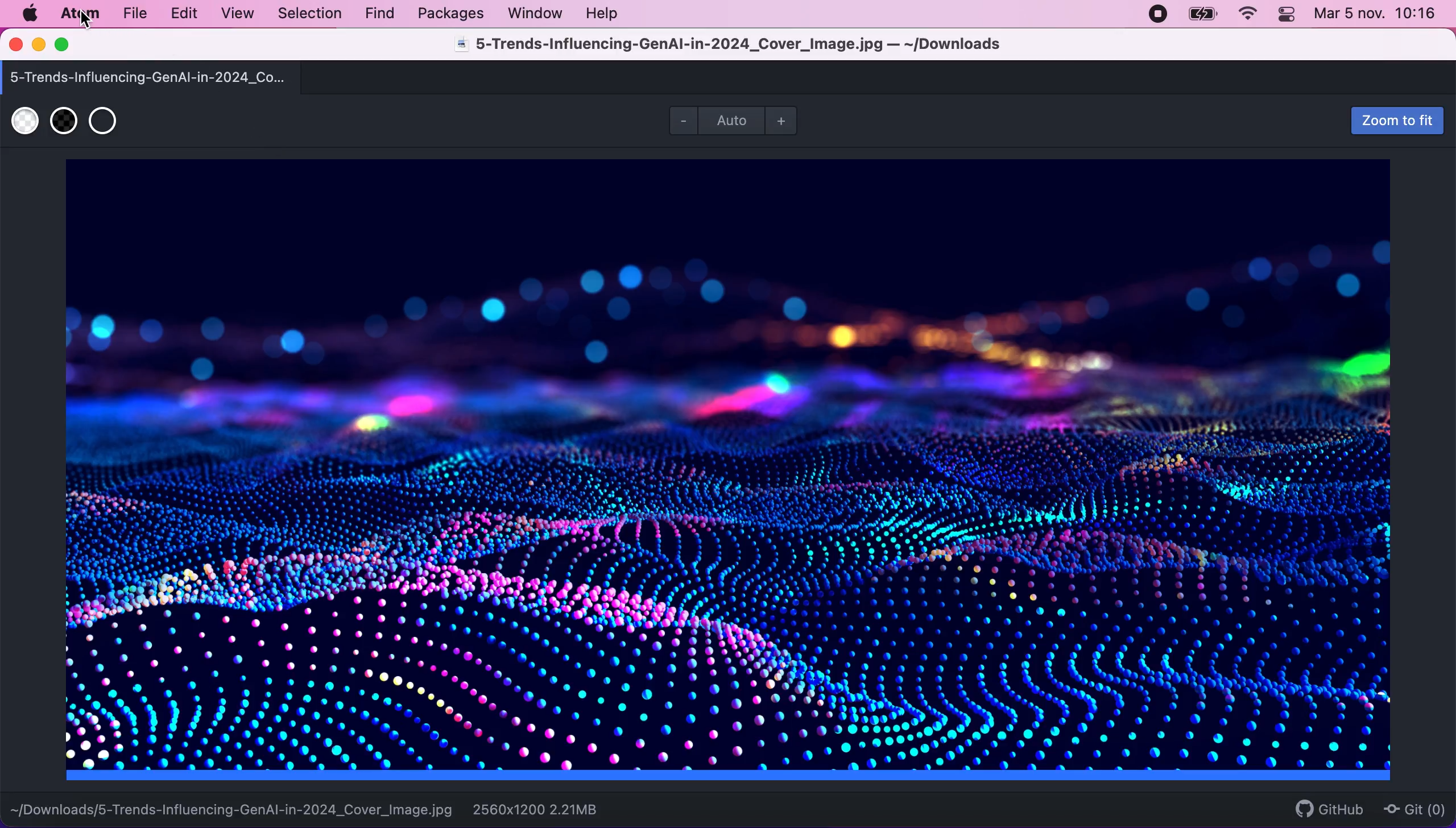 The width and height of the screenshot is (1456, 828). I want to click on recording stopped, so click(1156, 13).